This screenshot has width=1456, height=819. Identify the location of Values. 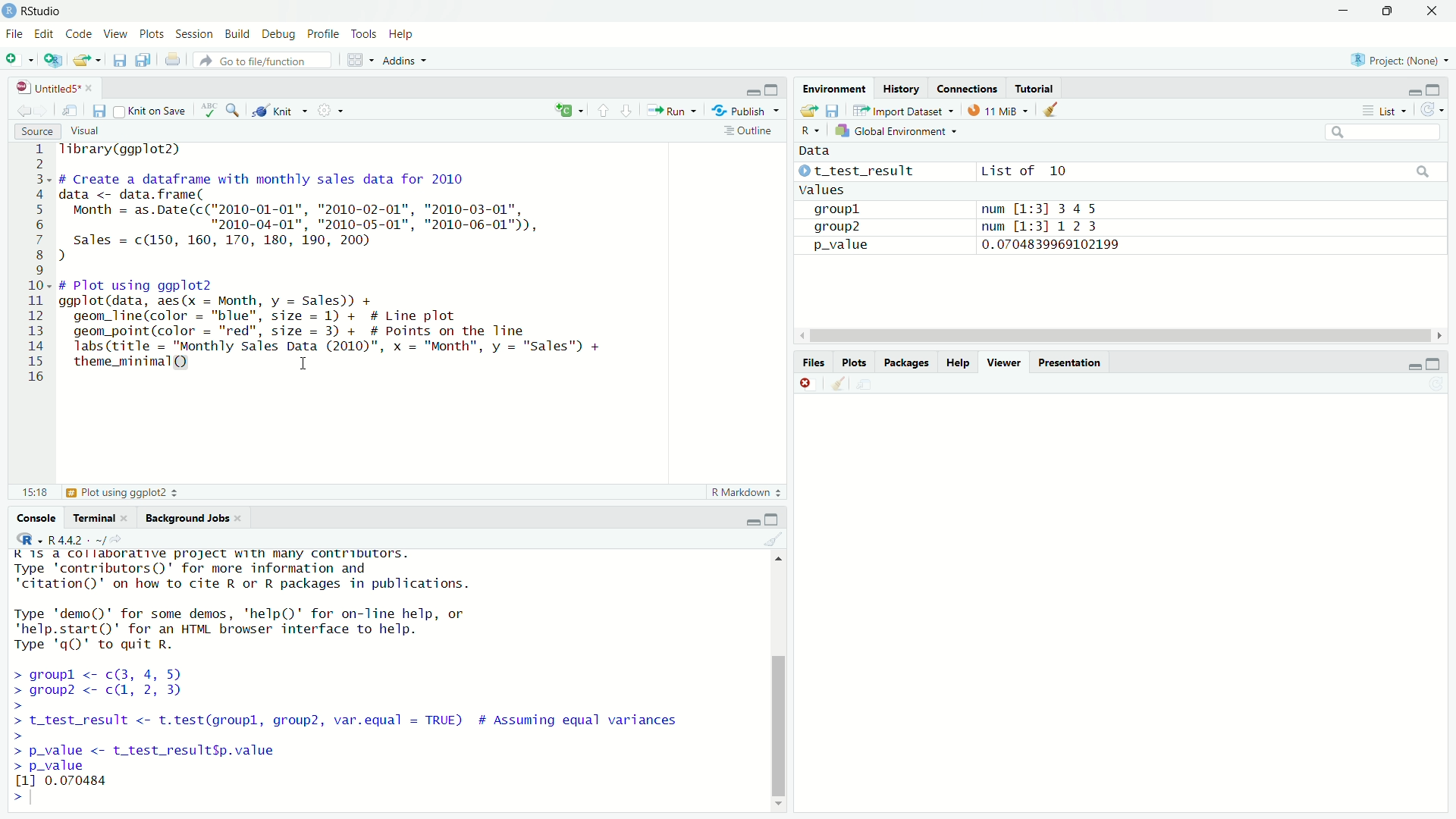
(821, 190).